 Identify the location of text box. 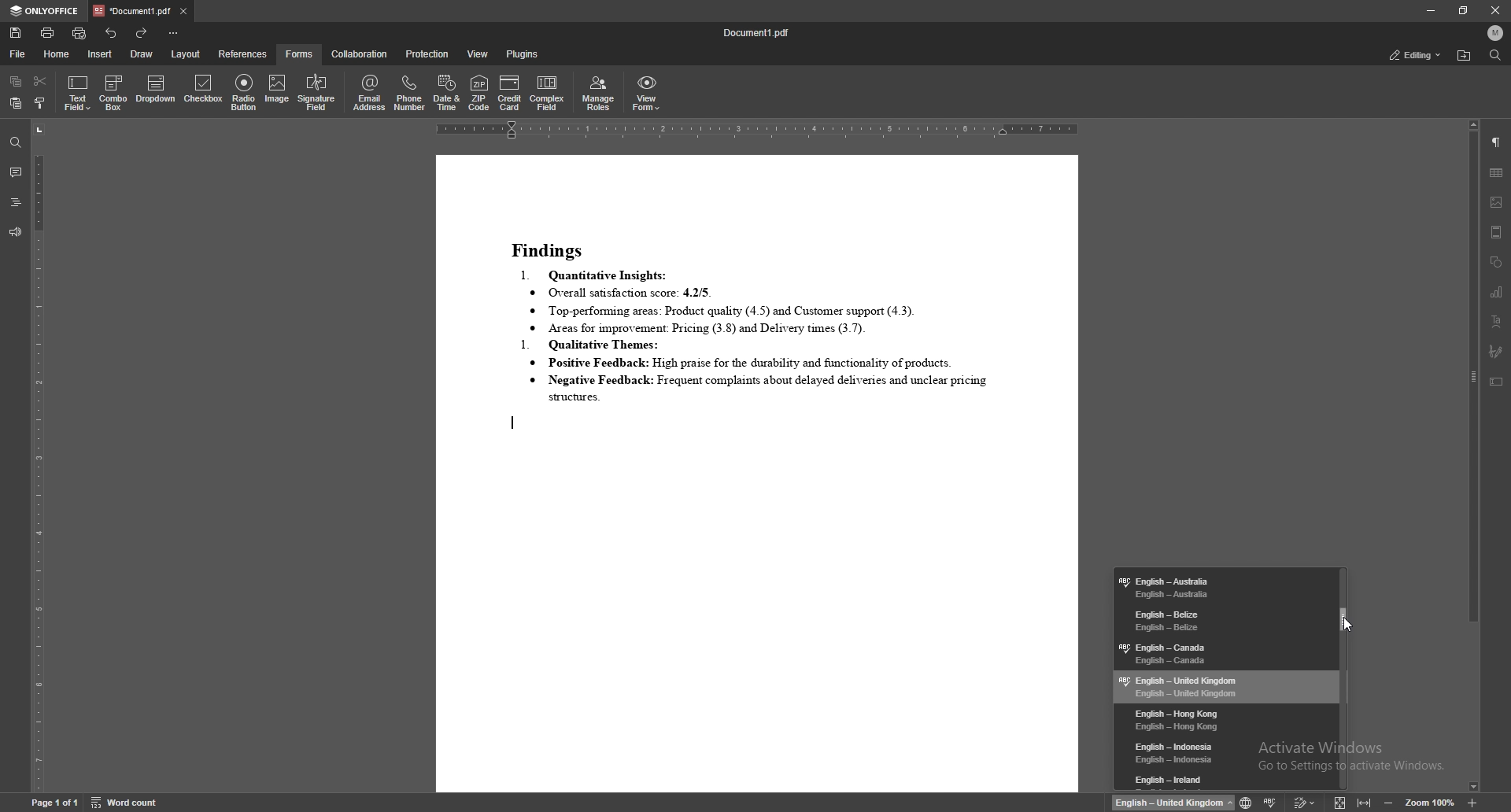
(1496, 382).